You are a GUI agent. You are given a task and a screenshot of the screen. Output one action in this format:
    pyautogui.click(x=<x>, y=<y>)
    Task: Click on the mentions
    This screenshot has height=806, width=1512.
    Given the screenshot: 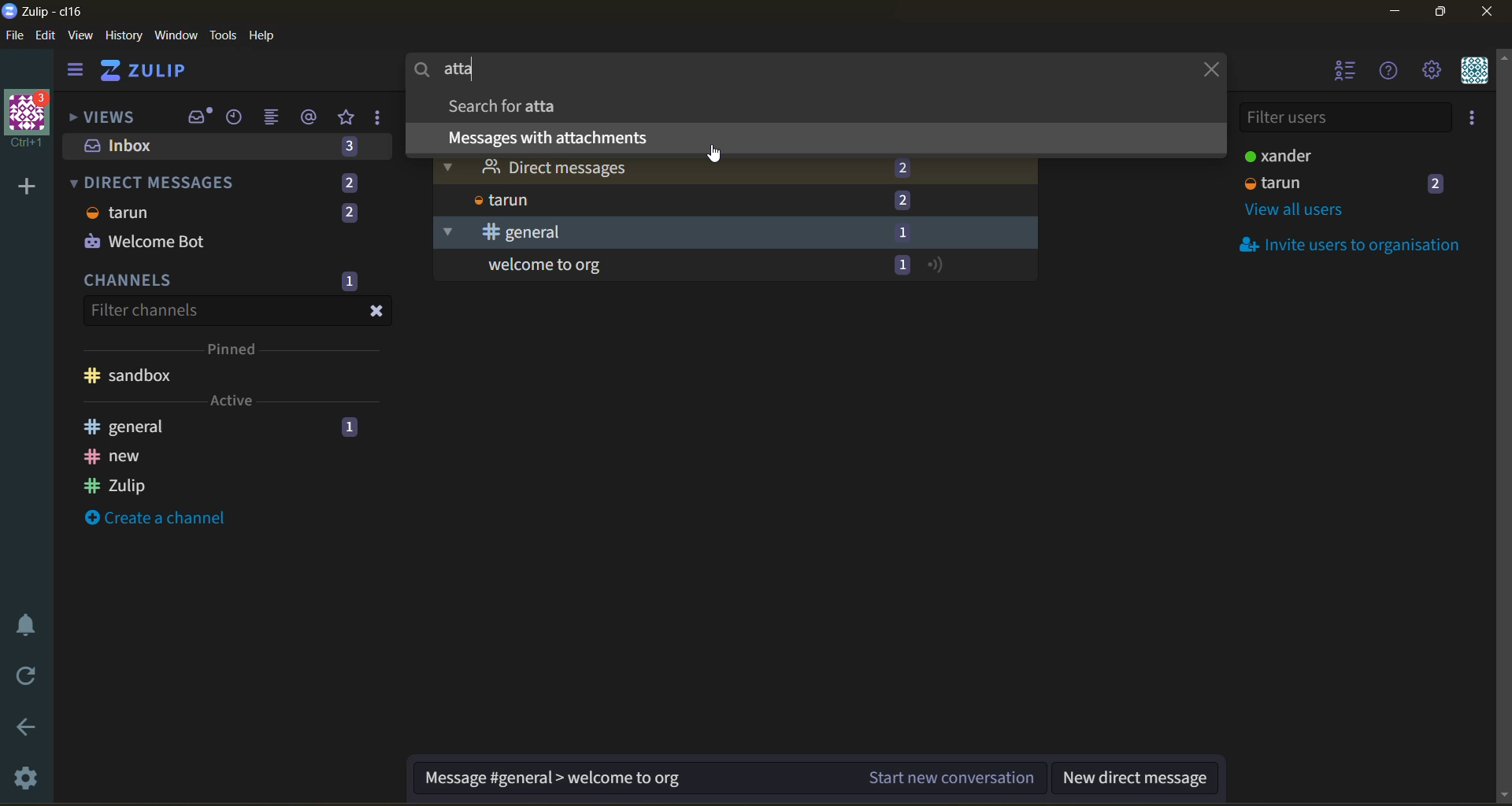 What is the action you would take?
    pyautogui.click(x=310, y=117)
    